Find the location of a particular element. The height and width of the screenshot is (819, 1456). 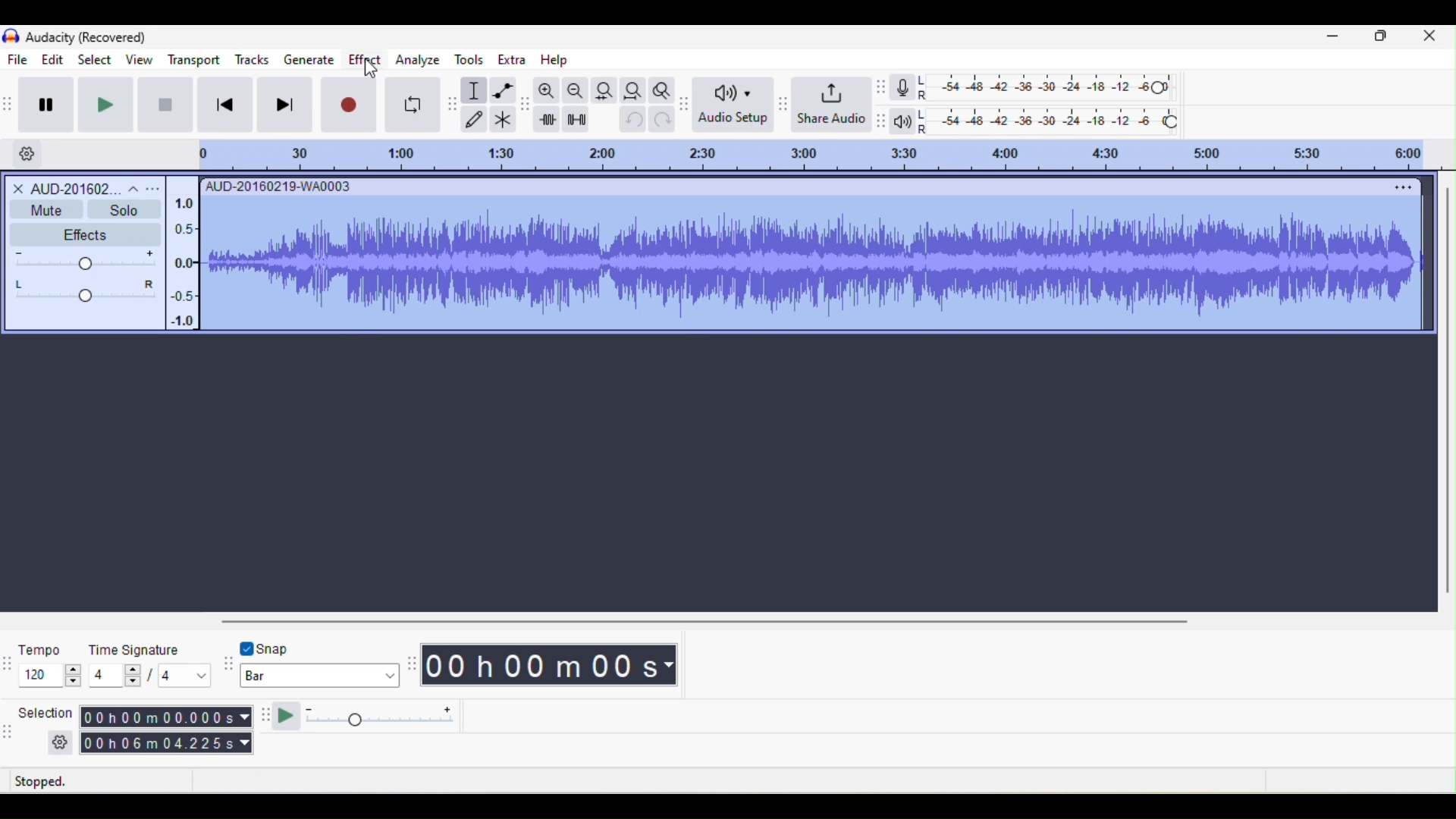

icon is located at coordinates (10, 37).